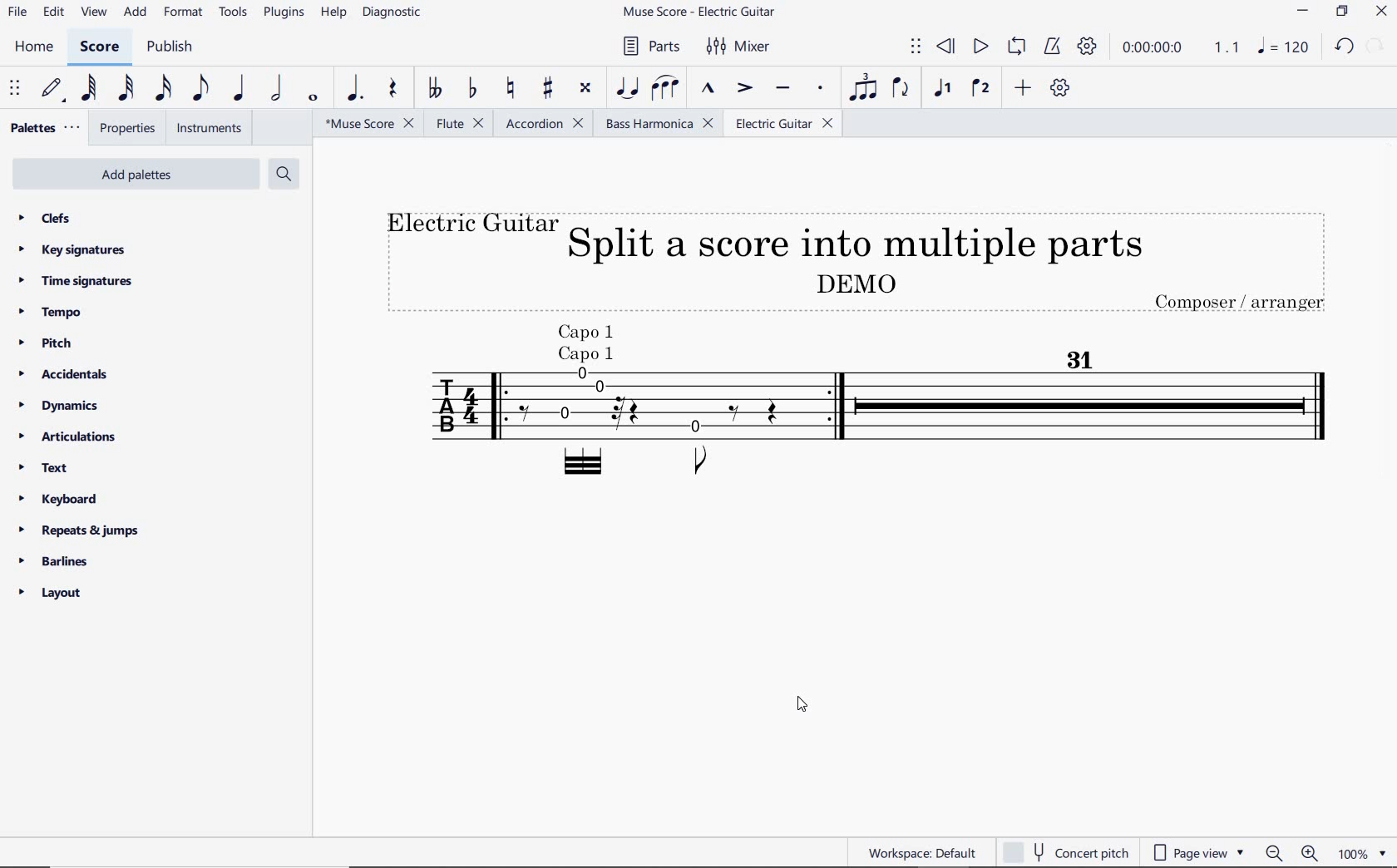  Describe the element at coordinates (208, 128) in the screenshot. I see `instruments` at that location.